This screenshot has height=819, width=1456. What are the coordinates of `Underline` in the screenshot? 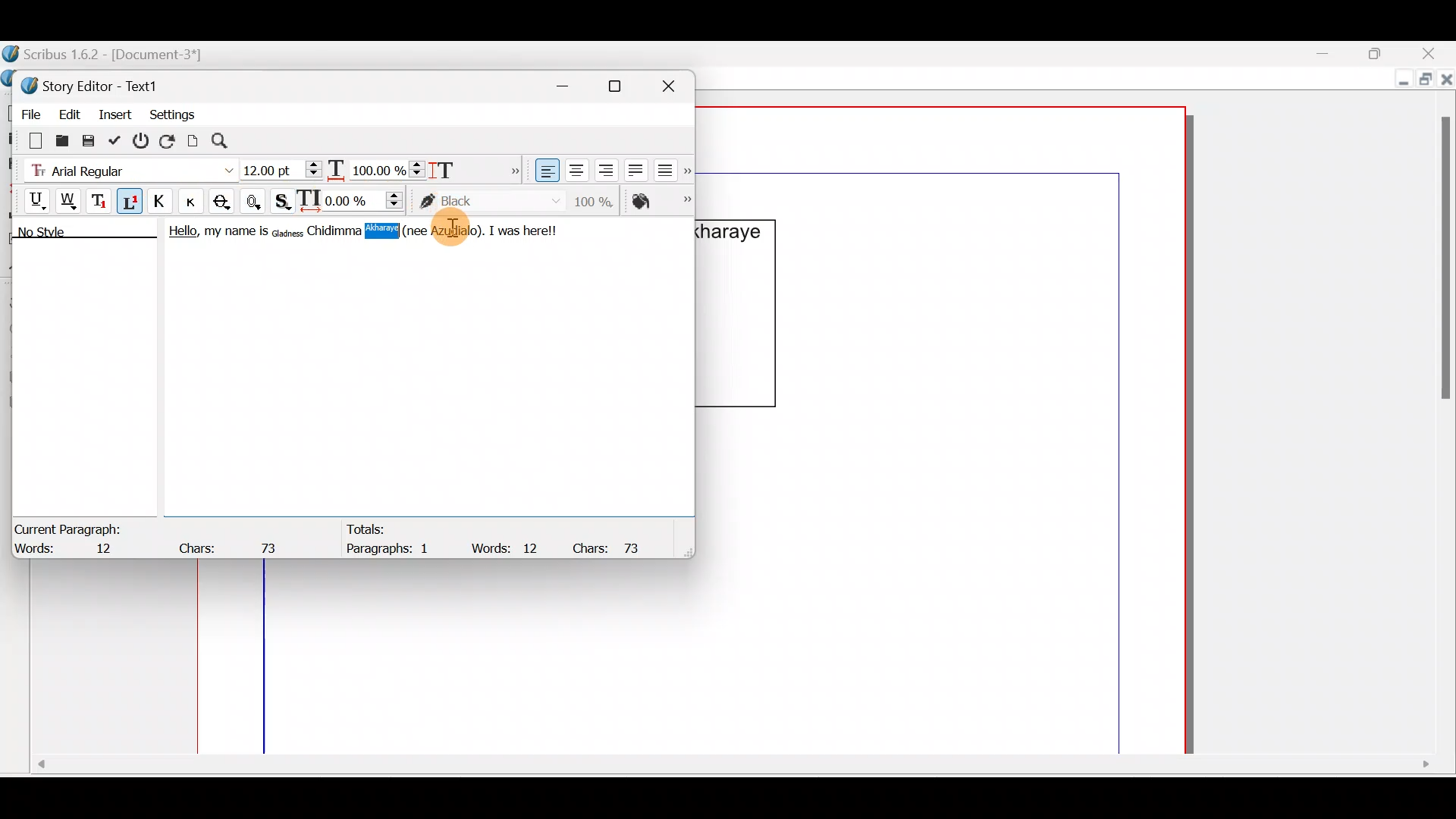 It's located at (30, 199).